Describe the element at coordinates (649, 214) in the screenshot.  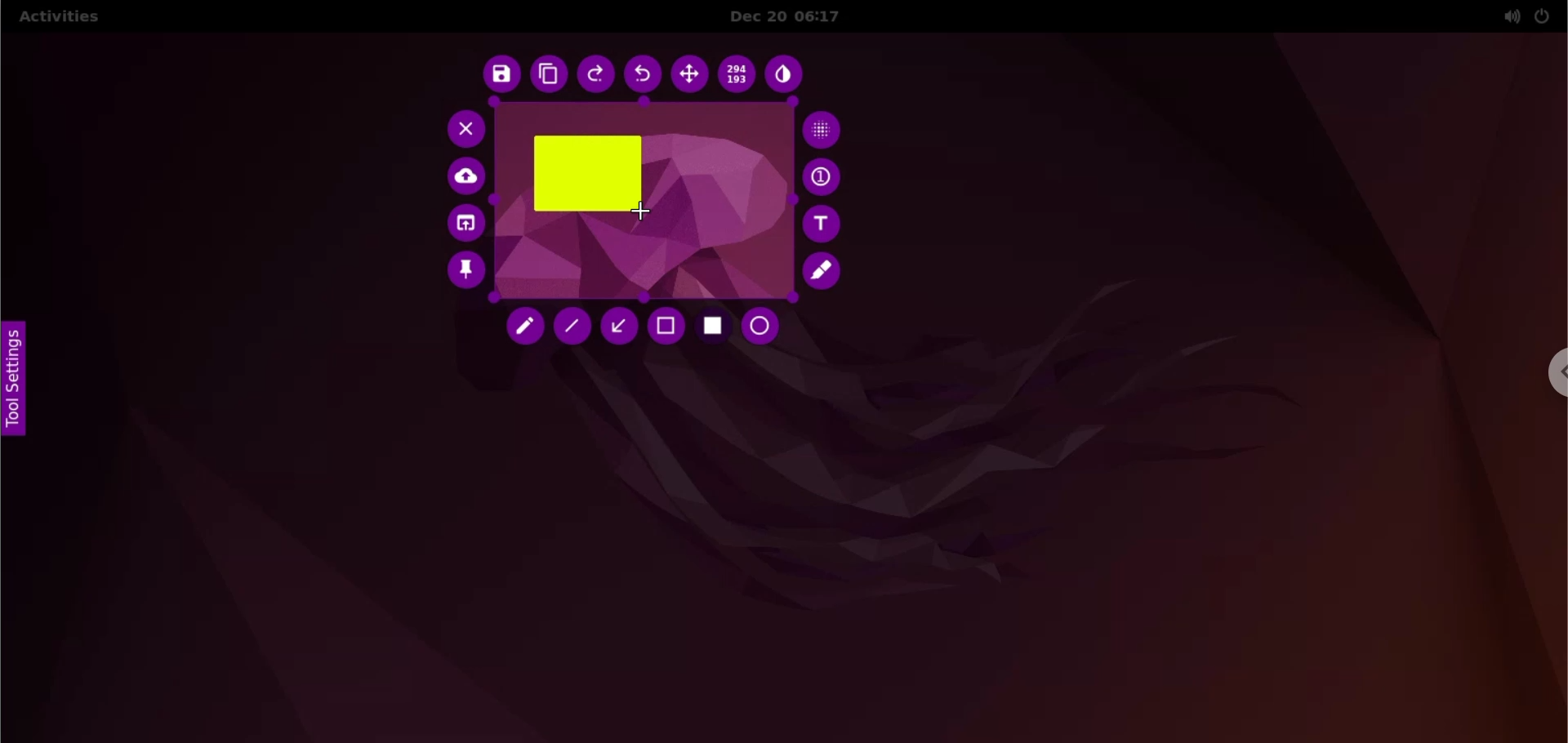
I see `cursor` at that location.